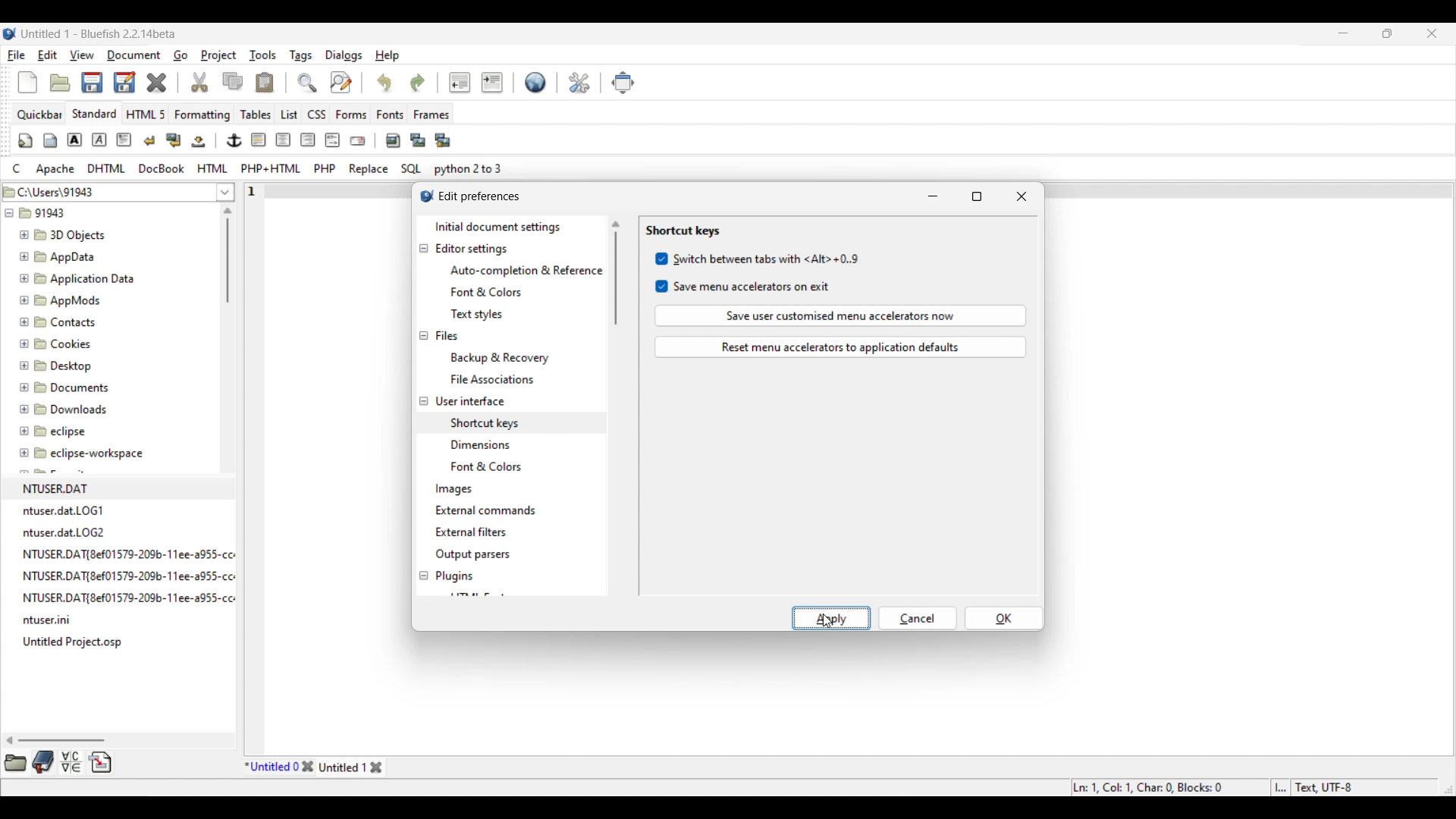  Describe the element at coordinates (510, 227) in the screenshot. I see `Initial document setting, current selection highlighted` at that location.